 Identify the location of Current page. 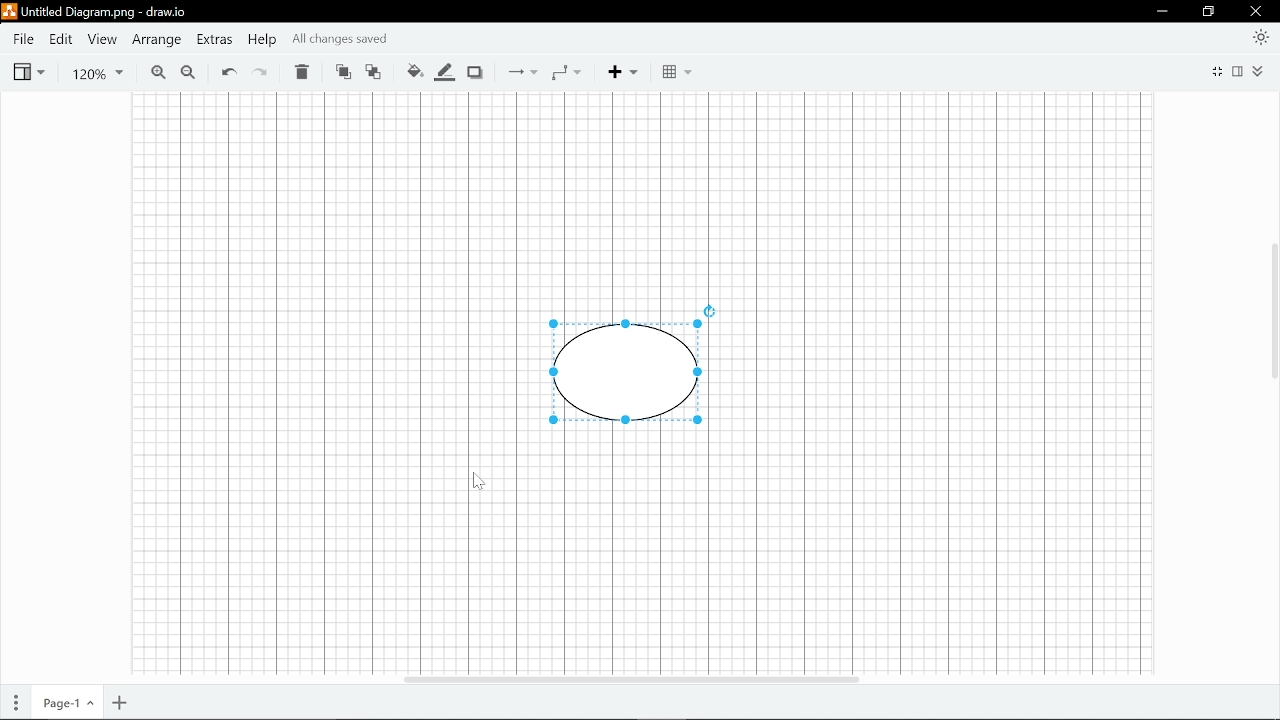
(67, 700).